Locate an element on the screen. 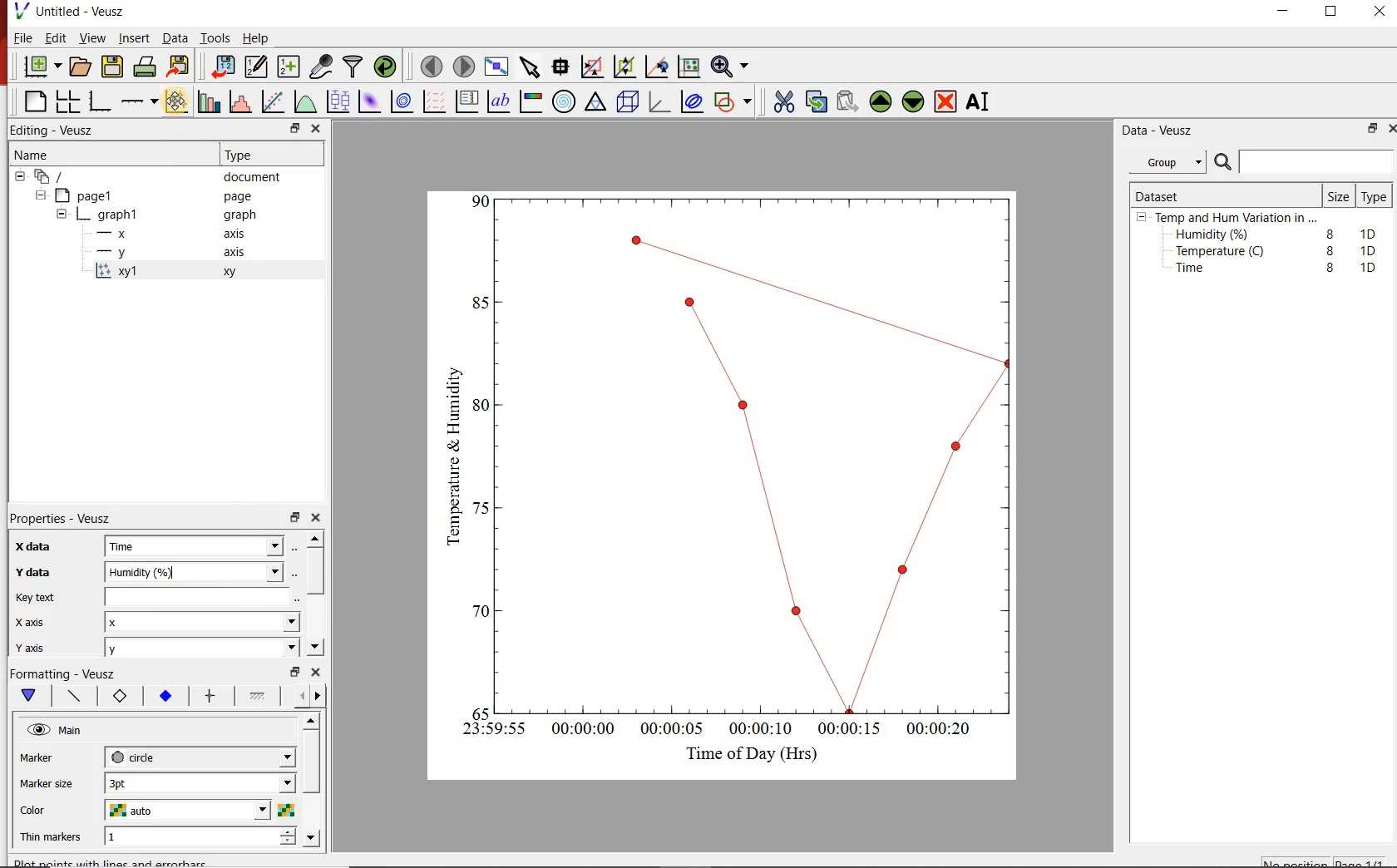 This screenshot has height=868, width=1397. auto is located at coordinates (134, 811).